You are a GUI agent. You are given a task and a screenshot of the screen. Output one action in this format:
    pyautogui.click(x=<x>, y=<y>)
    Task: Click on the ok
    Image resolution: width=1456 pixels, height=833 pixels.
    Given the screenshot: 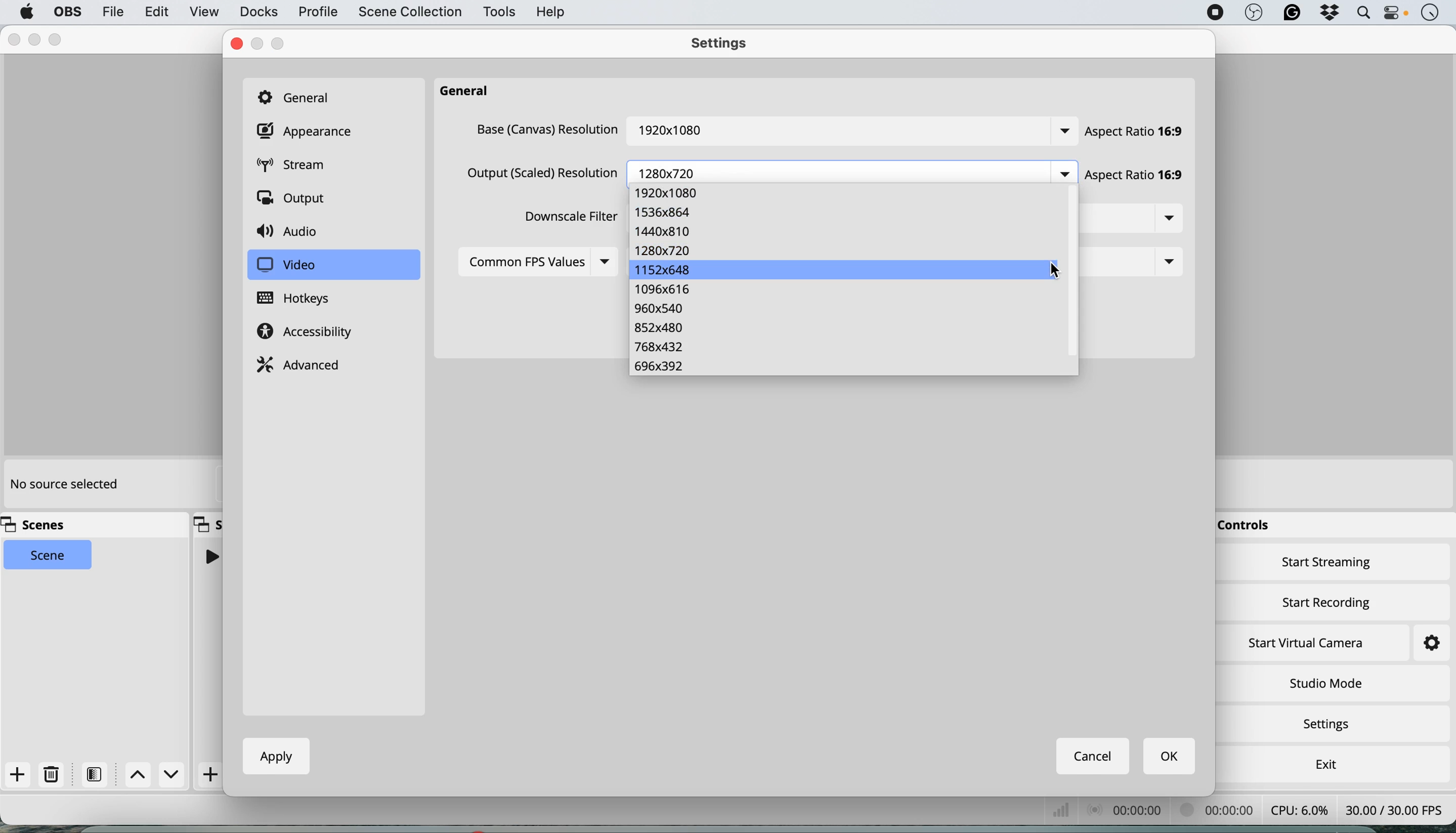 What is the action you would take?
    pyautogui.click(x=1171, y=757)
    